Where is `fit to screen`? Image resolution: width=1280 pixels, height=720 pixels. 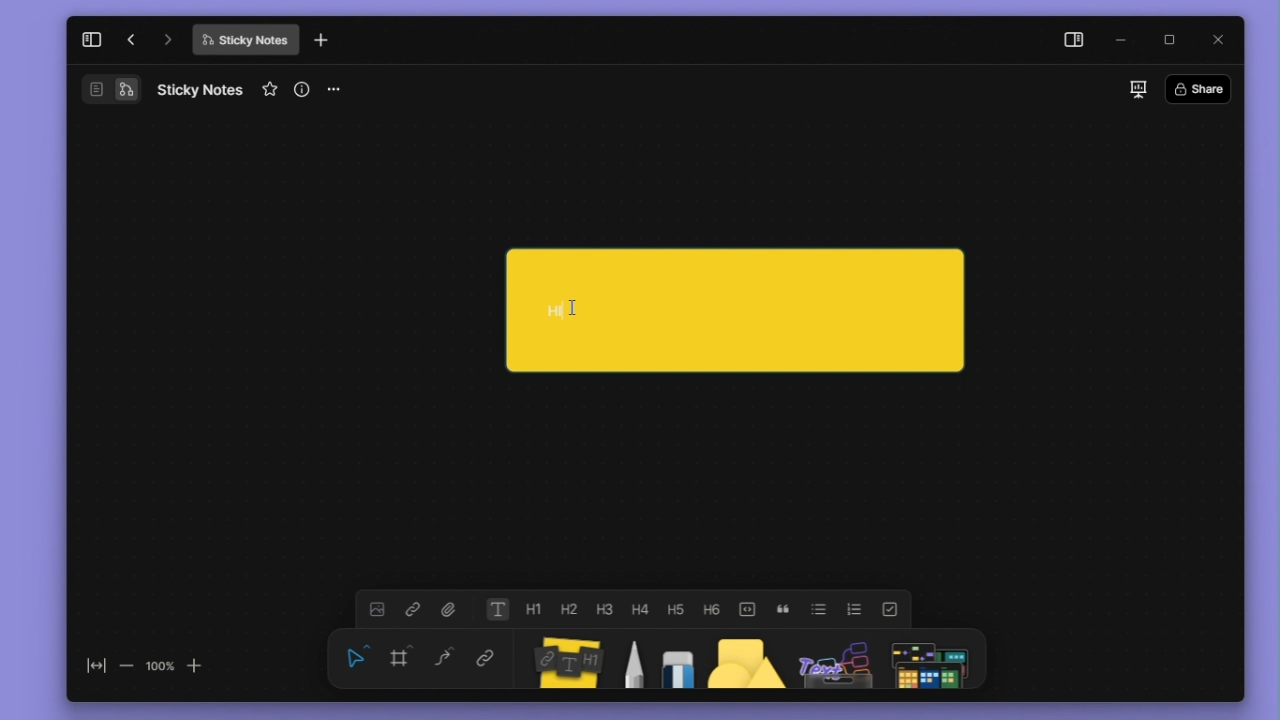
fit to screen is located at coordinates (89, 661).